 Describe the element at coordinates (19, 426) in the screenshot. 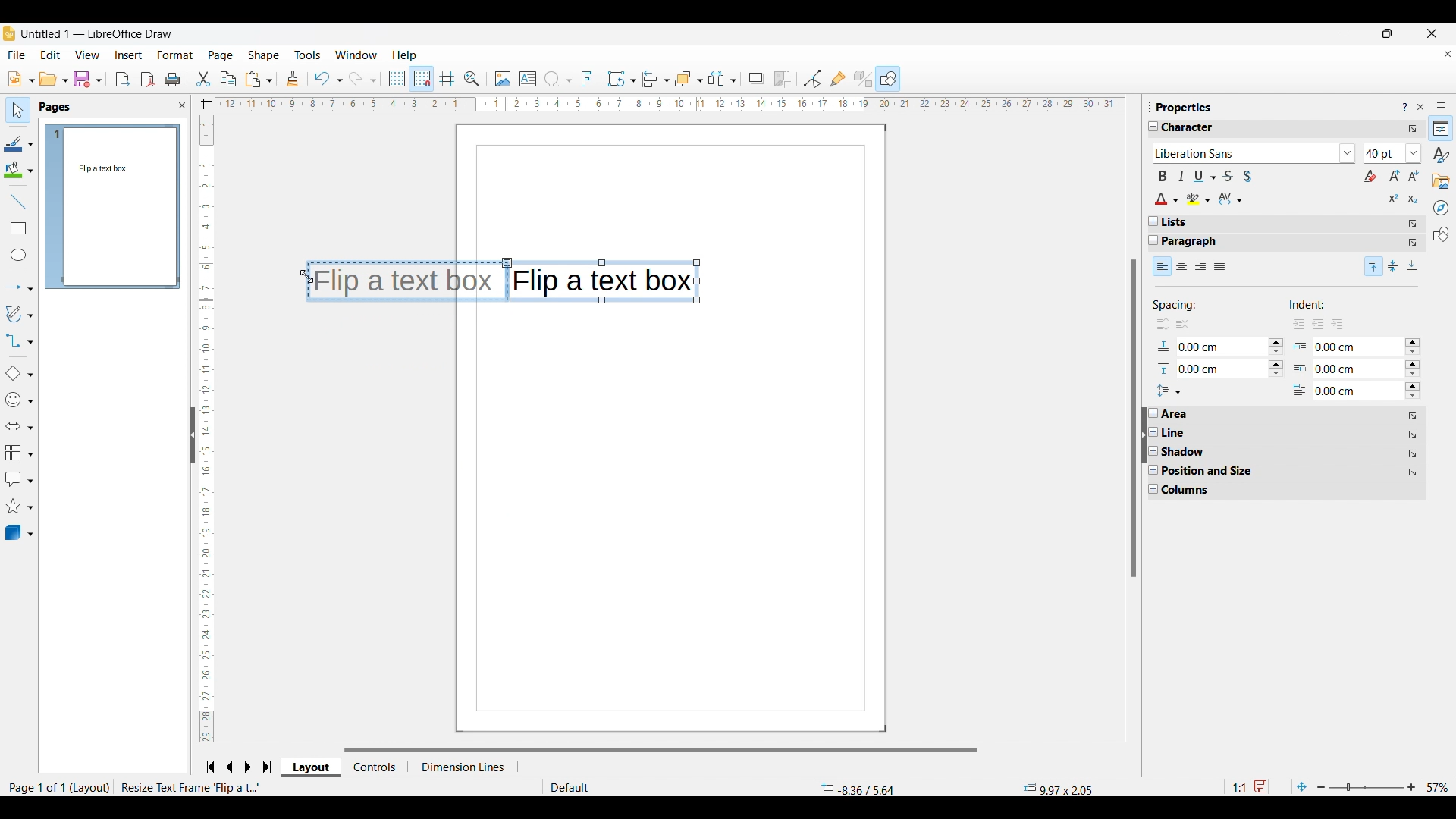

I see `Block arrow options` at that location.